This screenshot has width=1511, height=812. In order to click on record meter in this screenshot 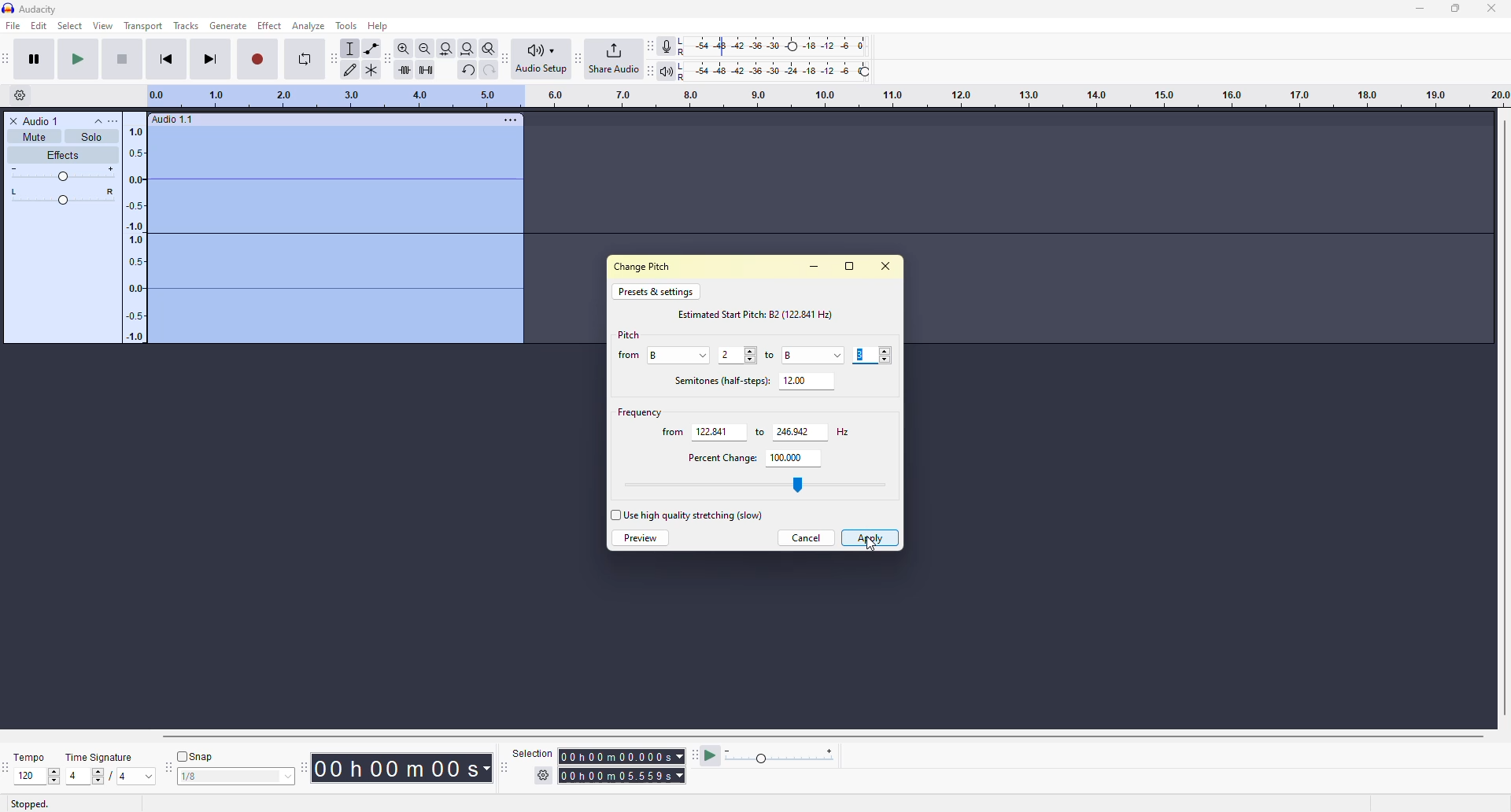, I will do `click(668, 46)`.